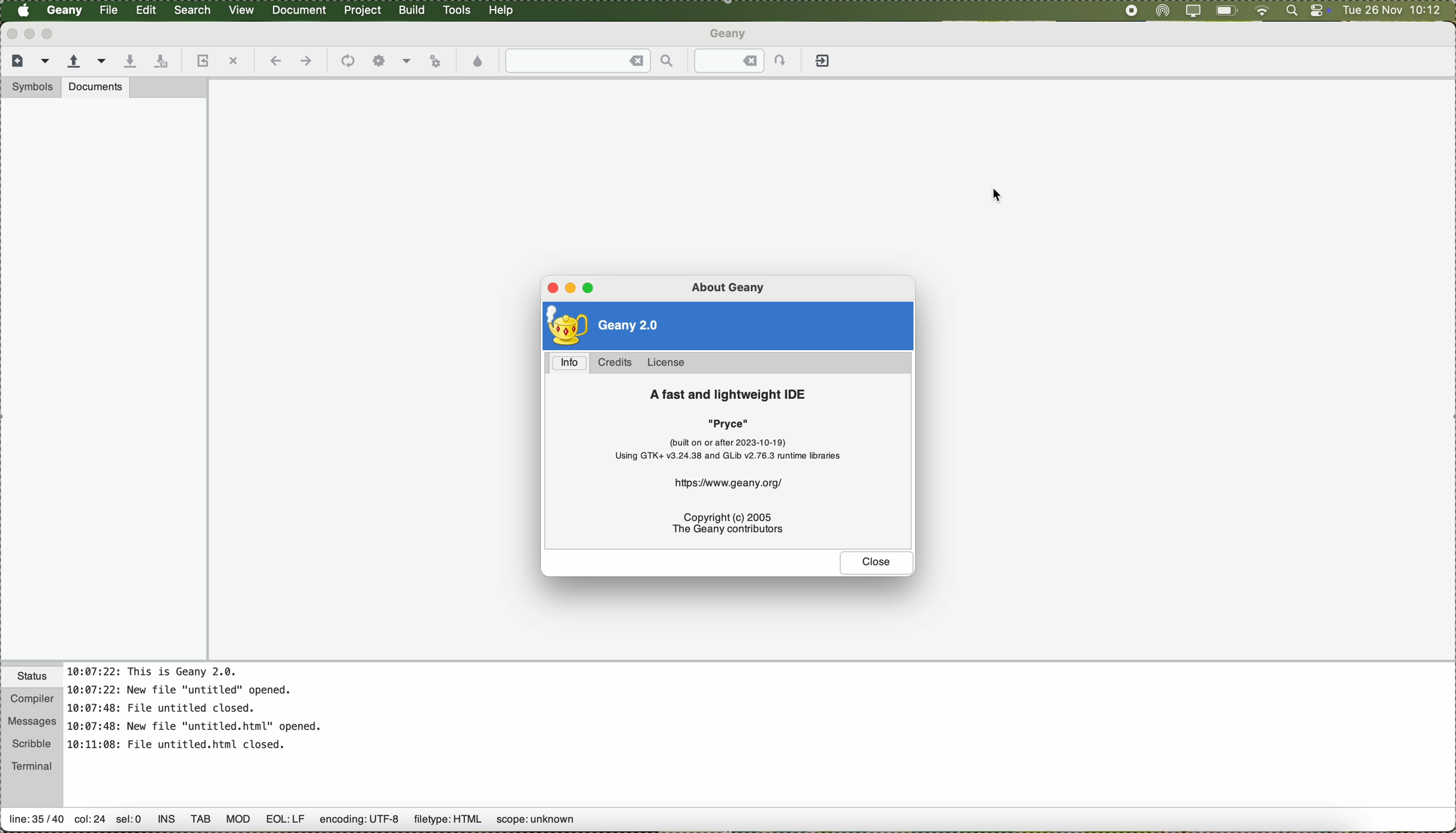  I want to click on document, so click(303, 11).